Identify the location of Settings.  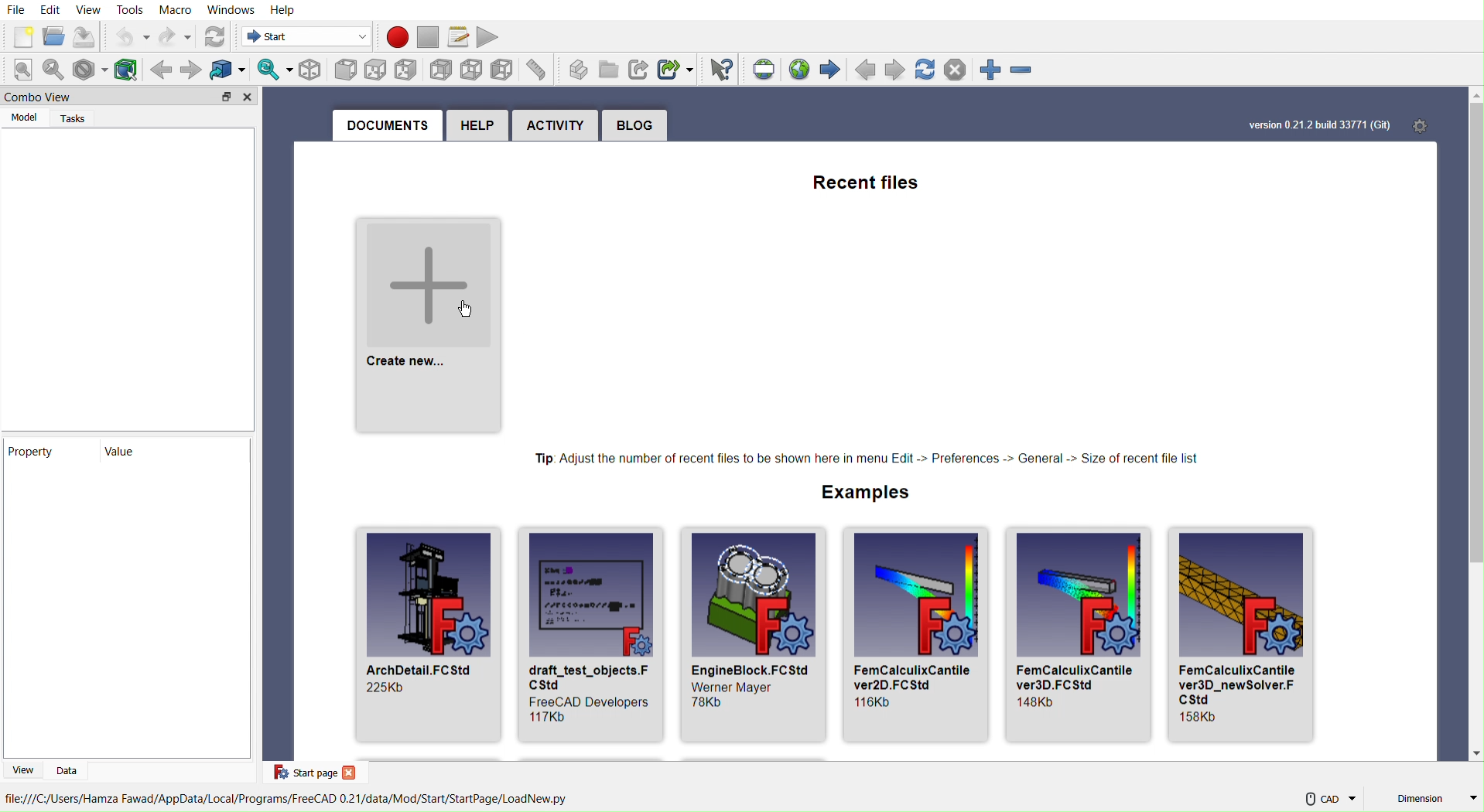
(1431, 125).